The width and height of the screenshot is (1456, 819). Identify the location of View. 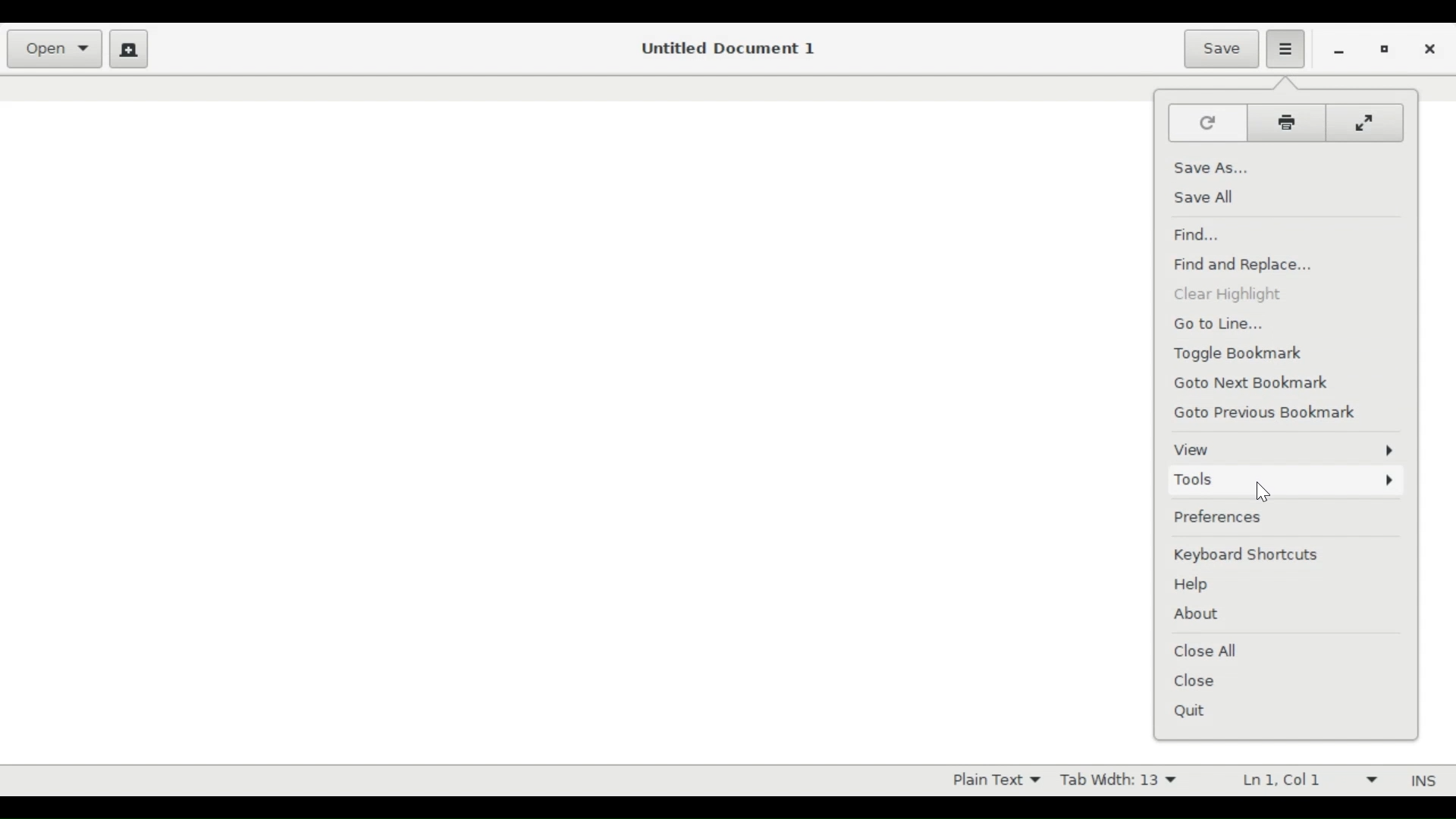
(1282, 449).